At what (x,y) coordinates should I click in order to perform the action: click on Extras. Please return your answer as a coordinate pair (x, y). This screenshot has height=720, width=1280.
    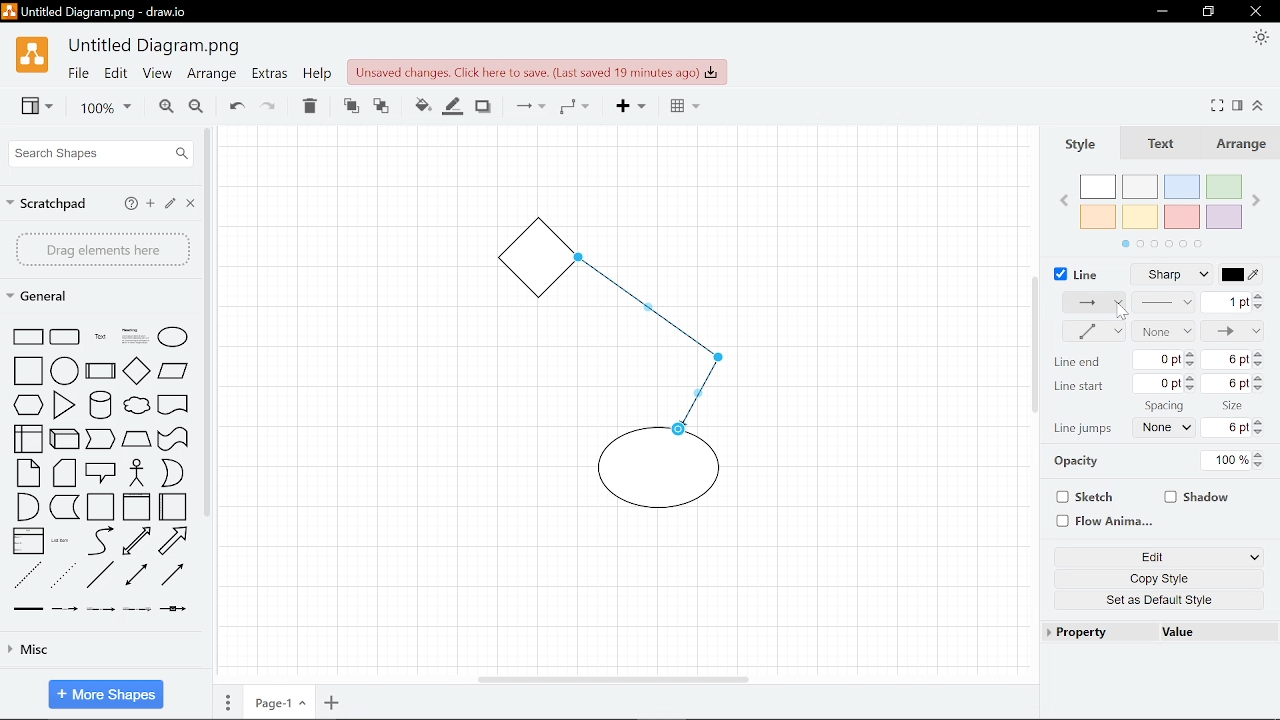
    Looking at the image, I should click on (270, 76).